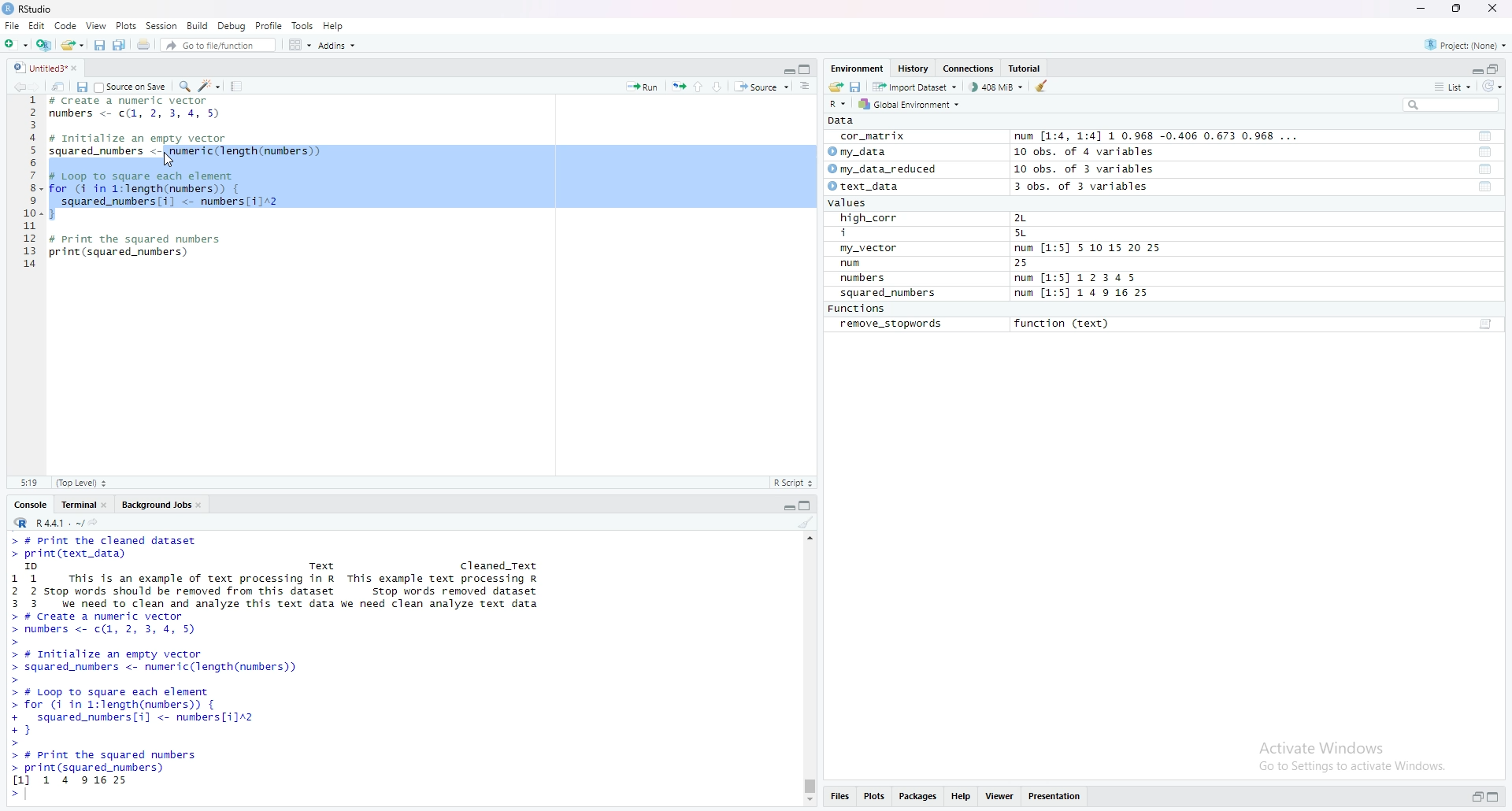 The height and width of the screenshot is (811, 1512). What do you see at coordinates (198, 25) in the screenshot?
I see `Build` at bounding box center [198, 25].